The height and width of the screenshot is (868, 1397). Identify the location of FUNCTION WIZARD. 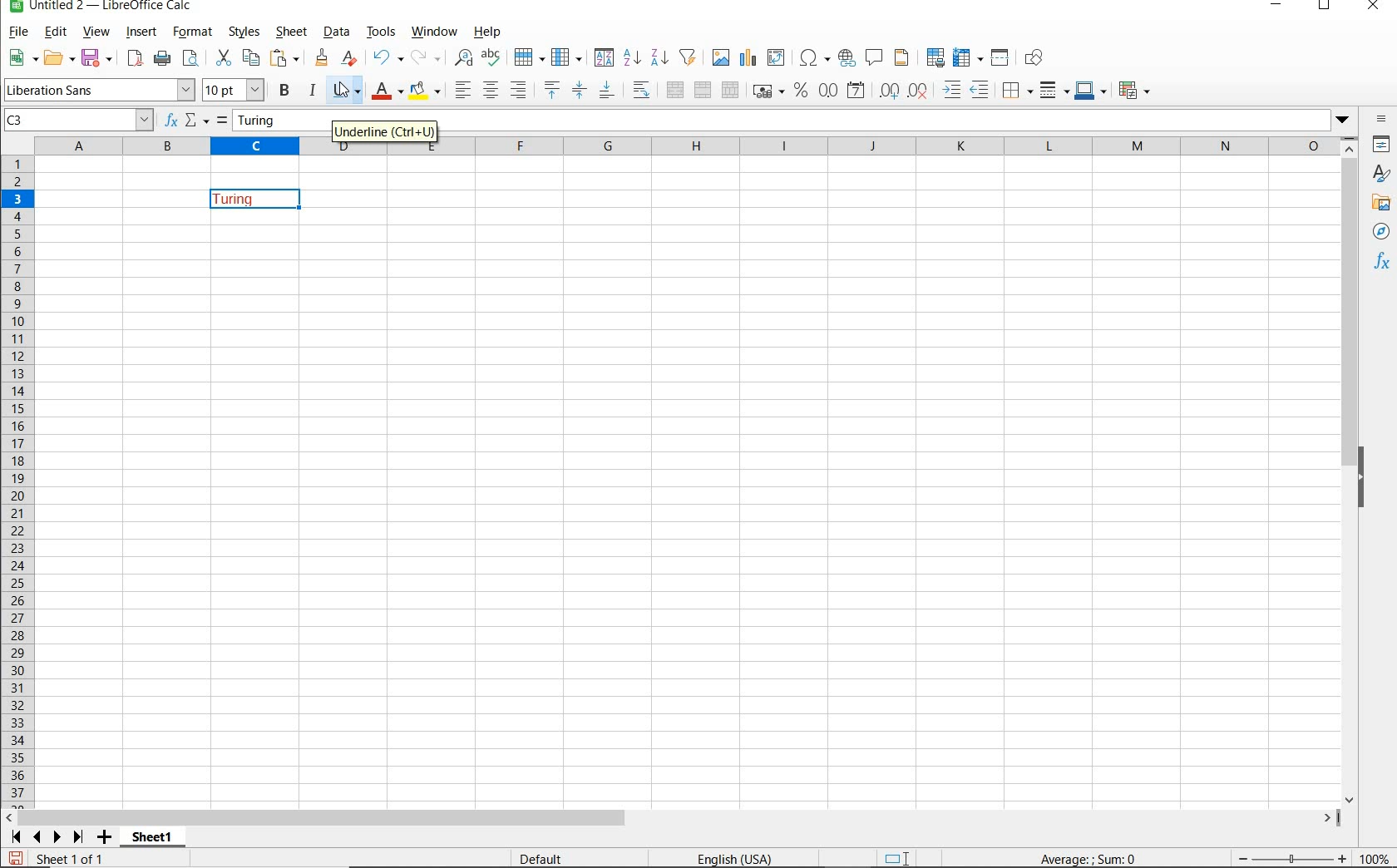
(171, 121).